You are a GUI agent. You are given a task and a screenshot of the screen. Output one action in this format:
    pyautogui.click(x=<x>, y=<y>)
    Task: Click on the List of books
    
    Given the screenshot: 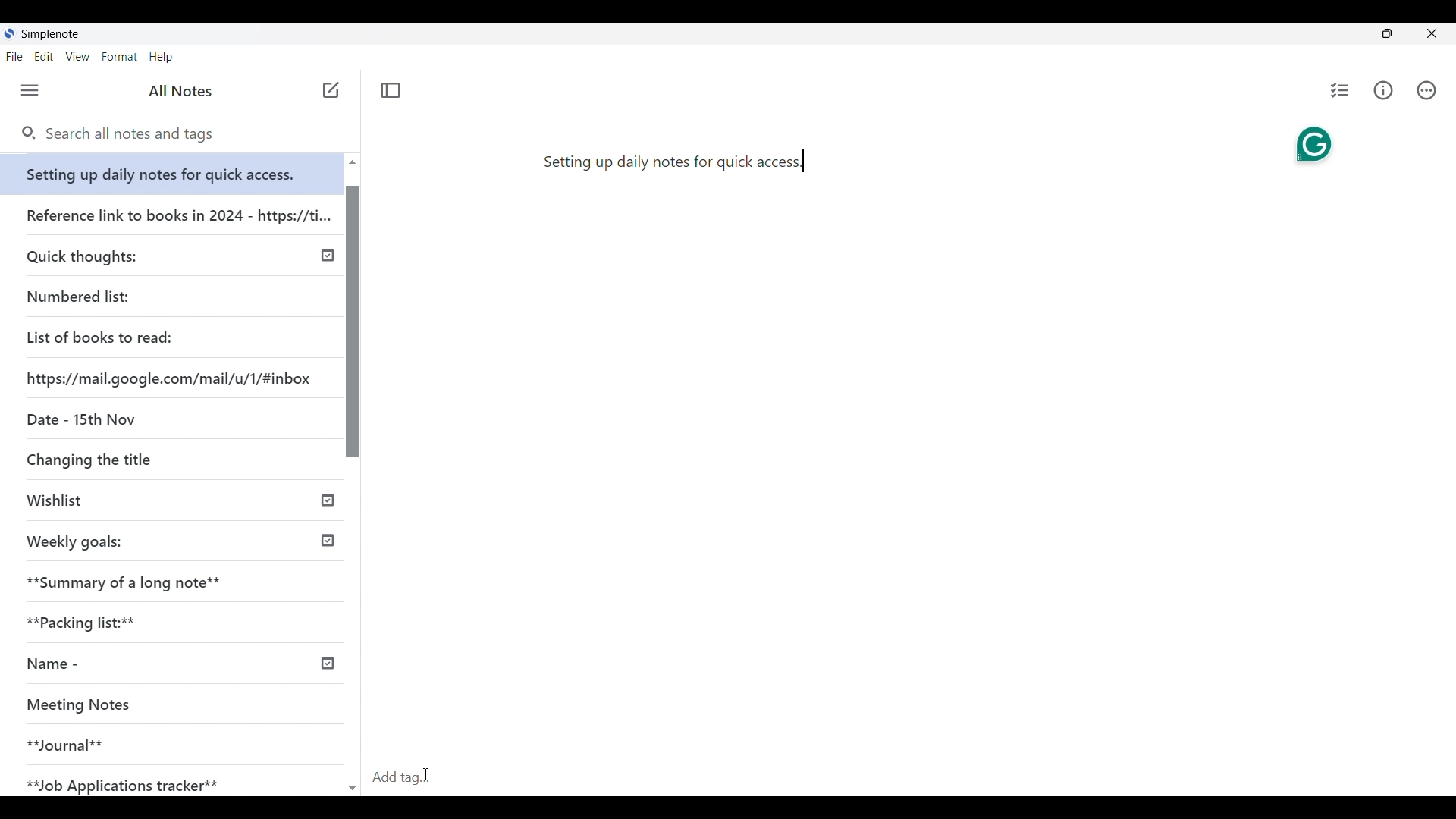 What is the action you would take?
    pyautogui.click(x=101, y=335)
    